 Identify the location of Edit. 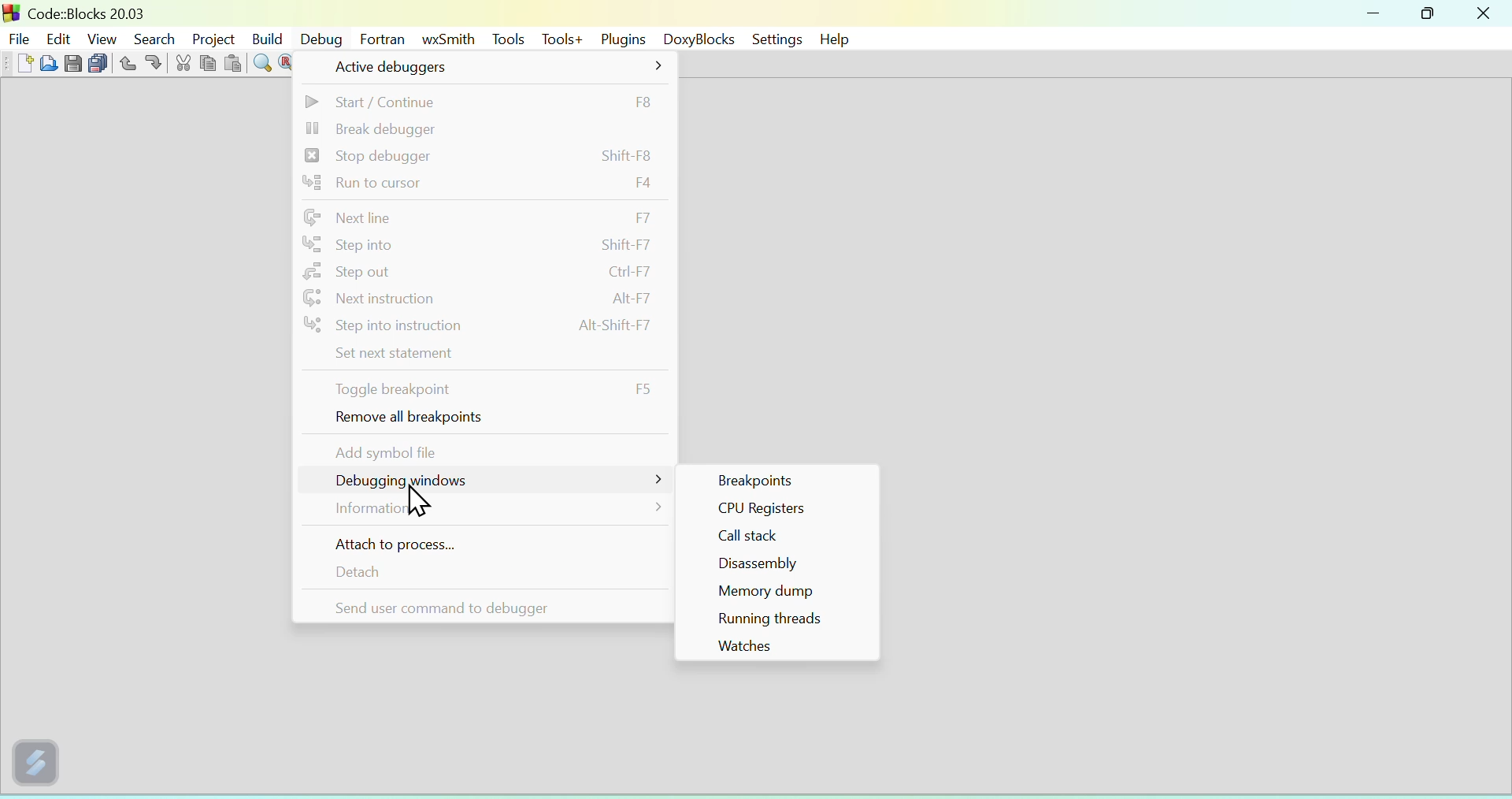
(61, 38).